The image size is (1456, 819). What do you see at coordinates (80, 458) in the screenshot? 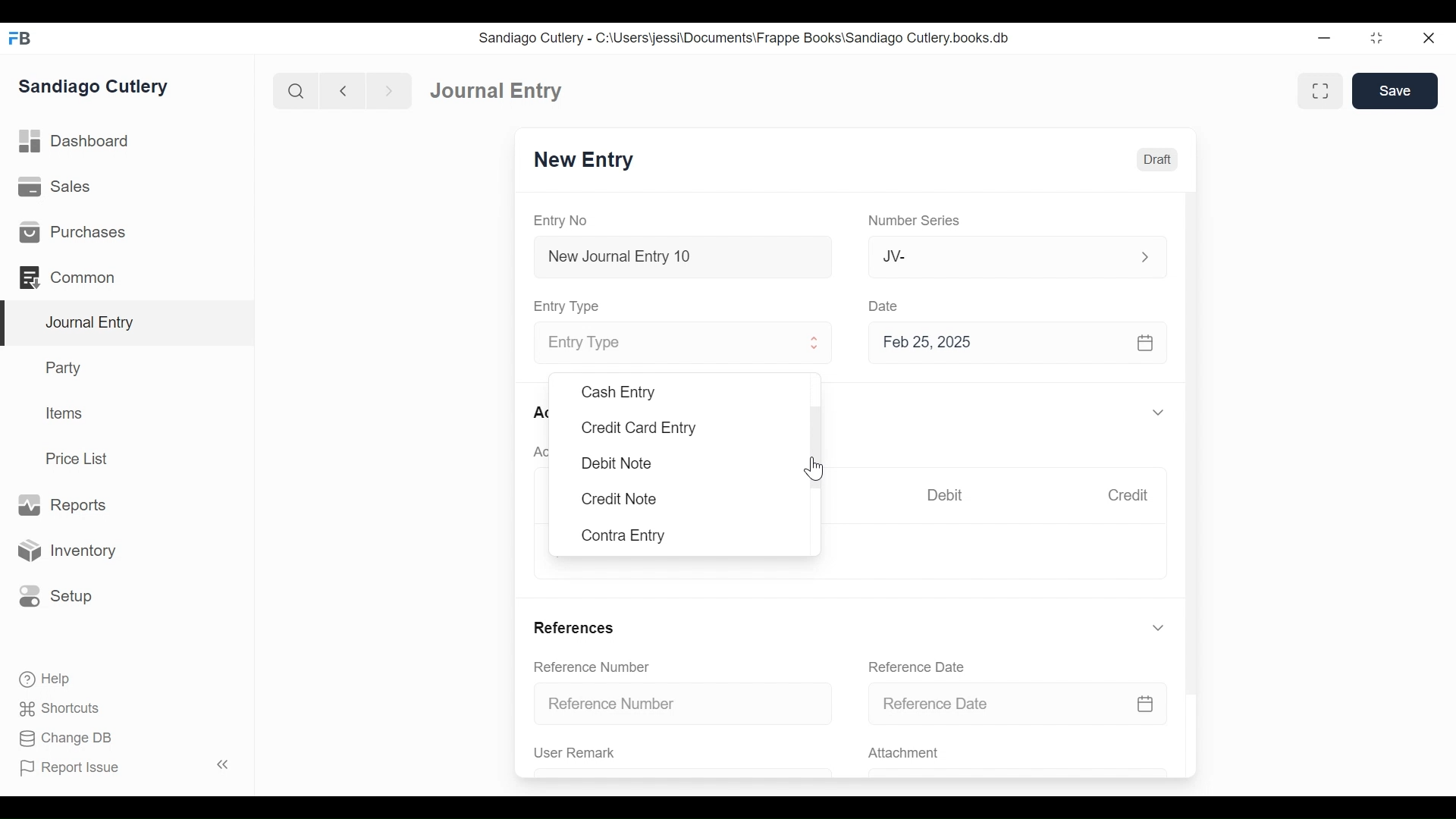
I see `Price List` at bounding box center [80, 458].